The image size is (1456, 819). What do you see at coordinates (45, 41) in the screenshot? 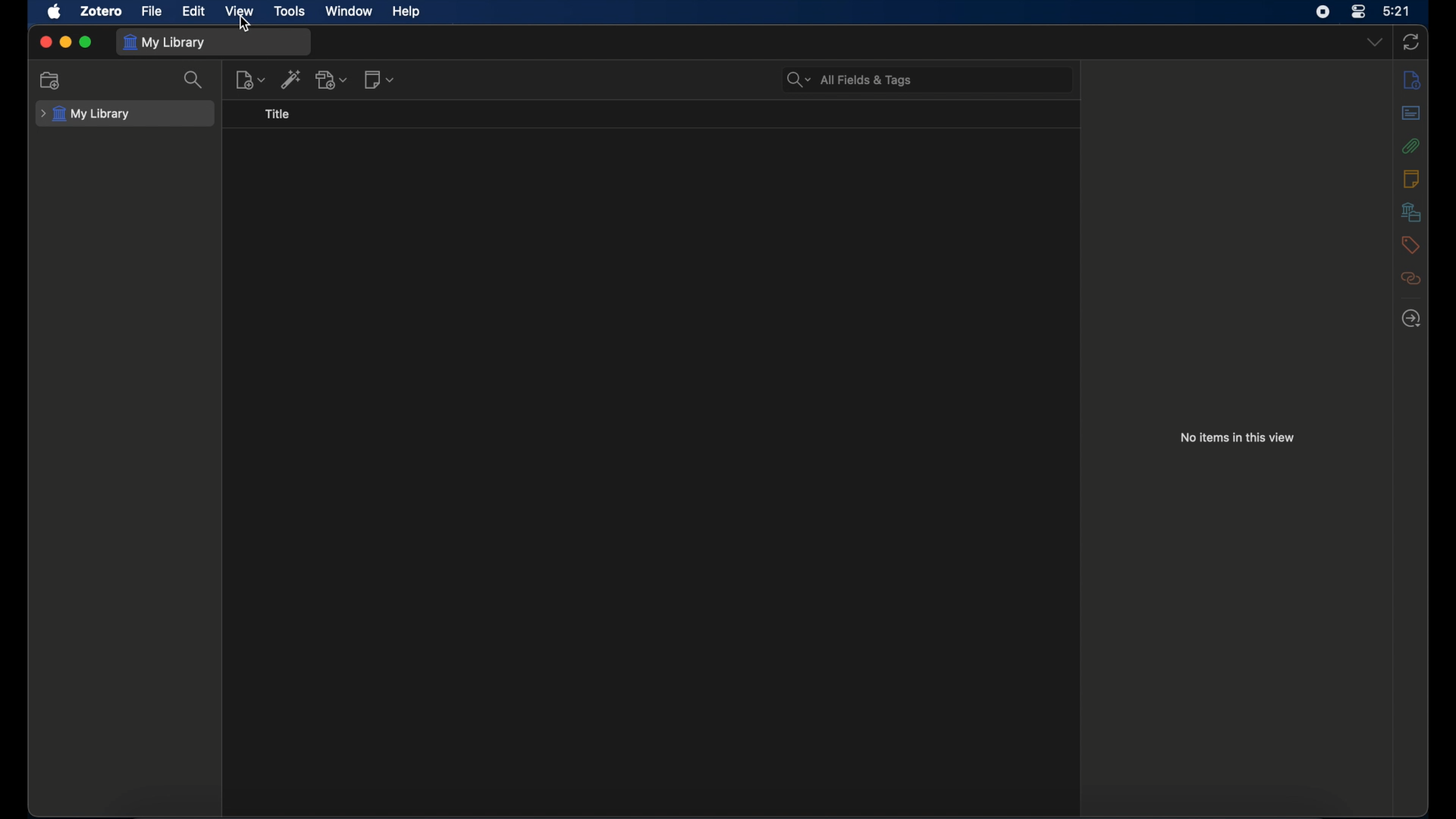
I see `close` at bounding box center [45, 41].